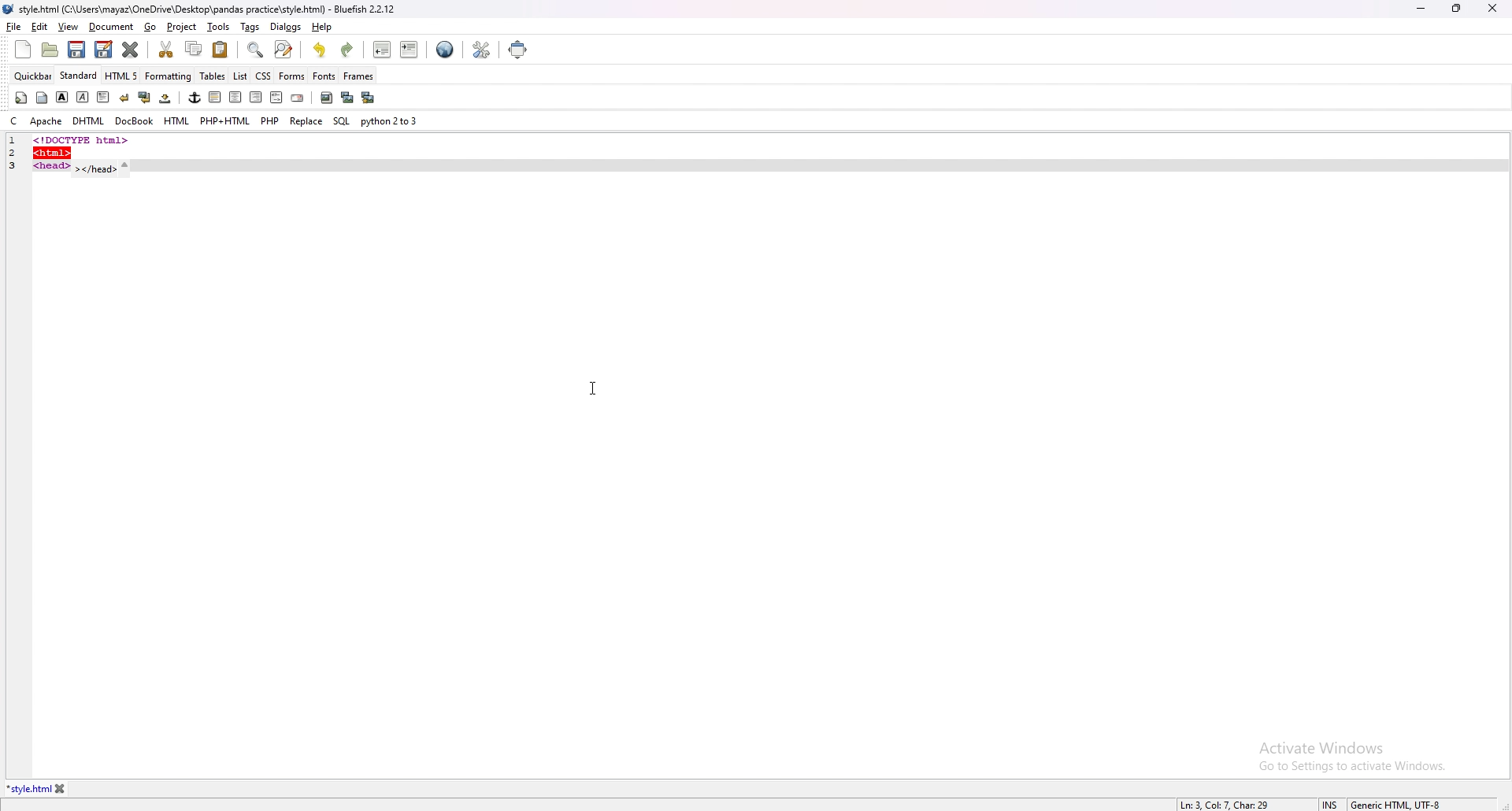 The image size is (1512, 811). What do you see at coordinates (43, 96) in the screenshot?
I see `body` at bounding box center [43, 96].